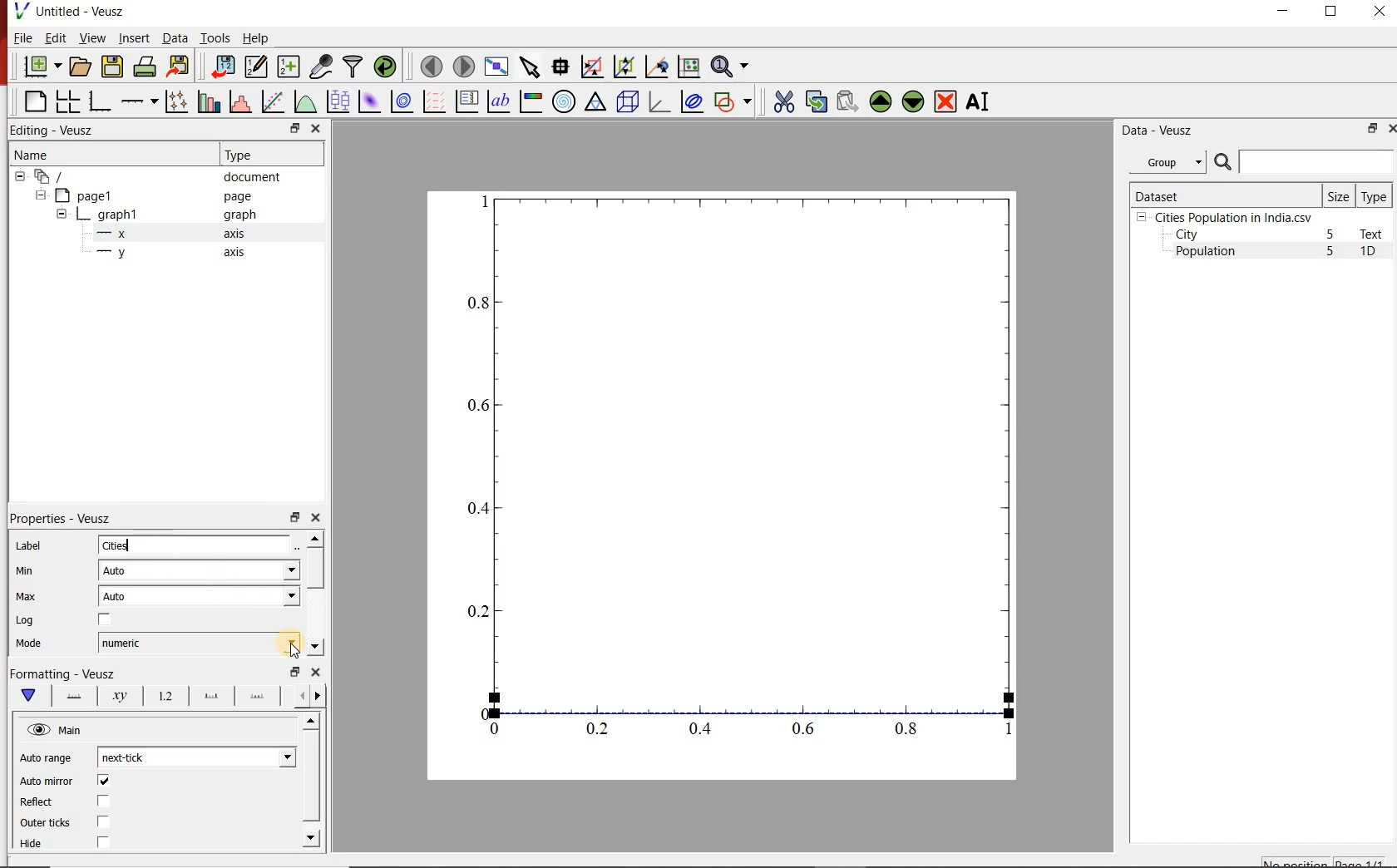 This screenshot has height=868, width=1397. Describe the element at coordinates (133, 39) in the screenshot. I see `Insert` at that location.